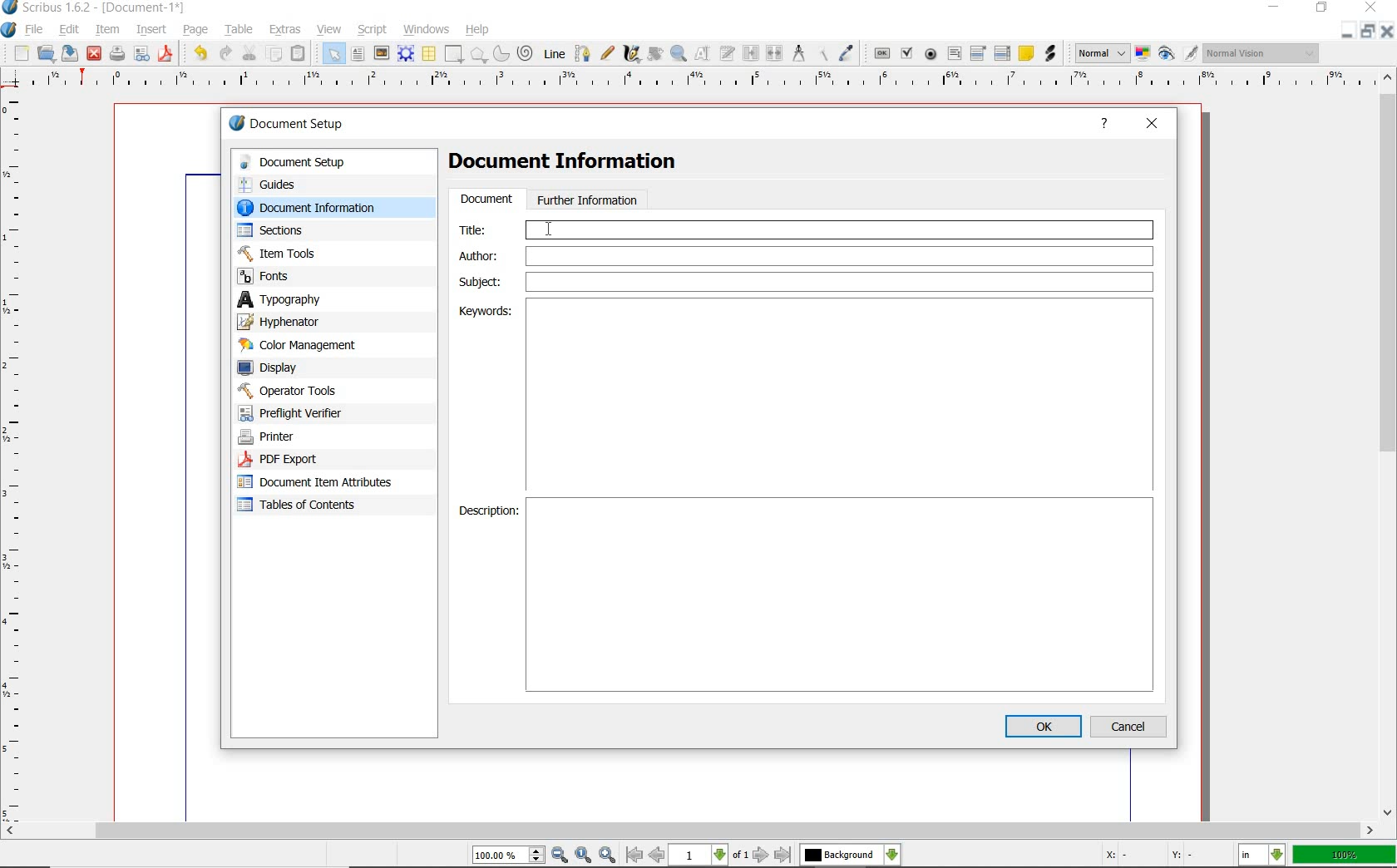  What do you see at coordinates (335, 53) in the screenshot?
I see `select` at bounding box center [335, 53].